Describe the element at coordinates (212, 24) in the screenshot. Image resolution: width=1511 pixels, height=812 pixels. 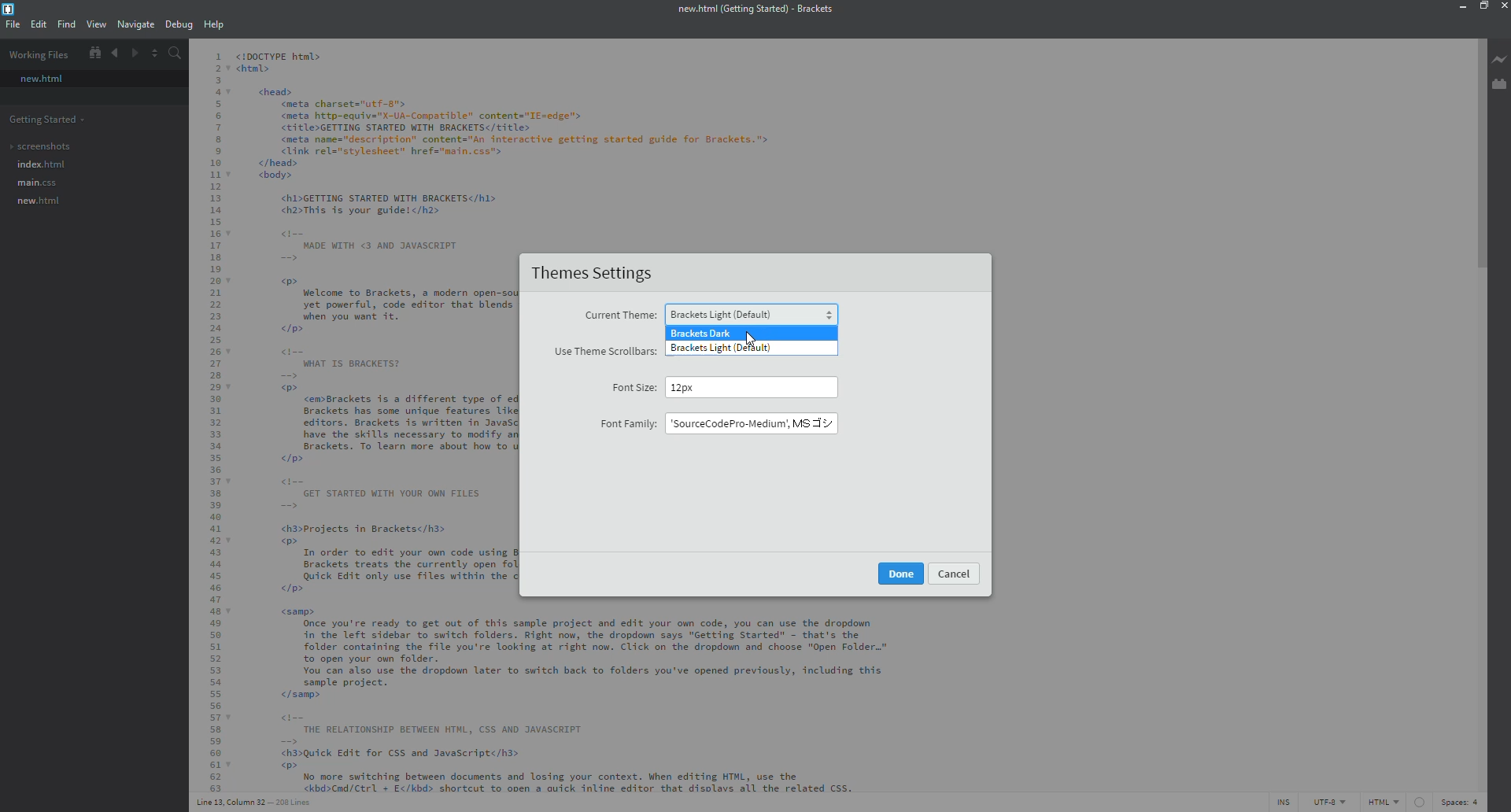
I see `help` at that location.